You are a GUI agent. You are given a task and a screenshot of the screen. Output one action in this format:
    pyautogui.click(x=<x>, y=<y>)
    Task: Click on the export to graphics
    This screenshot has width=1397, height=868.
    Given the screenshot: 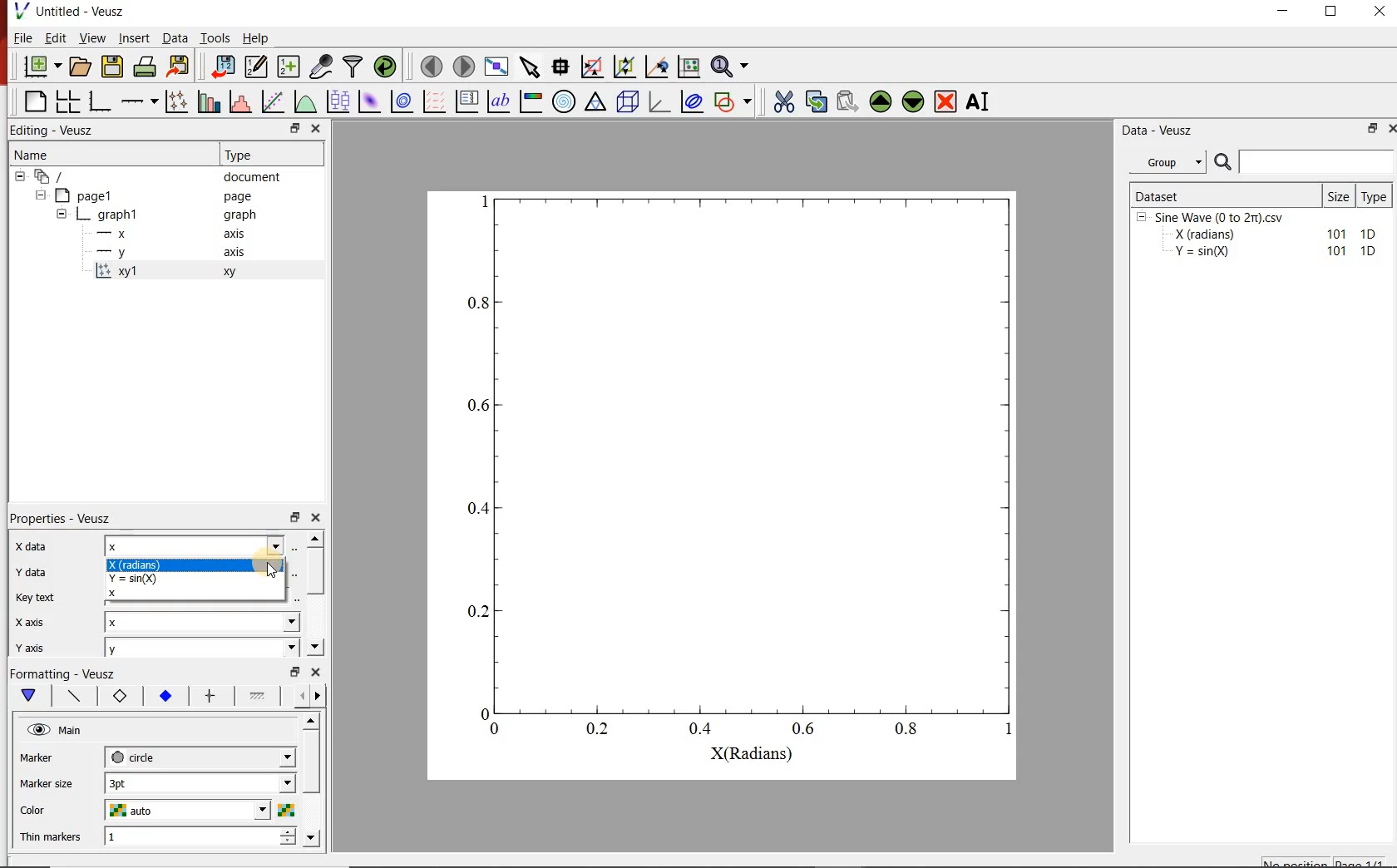 What is the action you would take?
    pyautogui.click(x=180, y=66)
    